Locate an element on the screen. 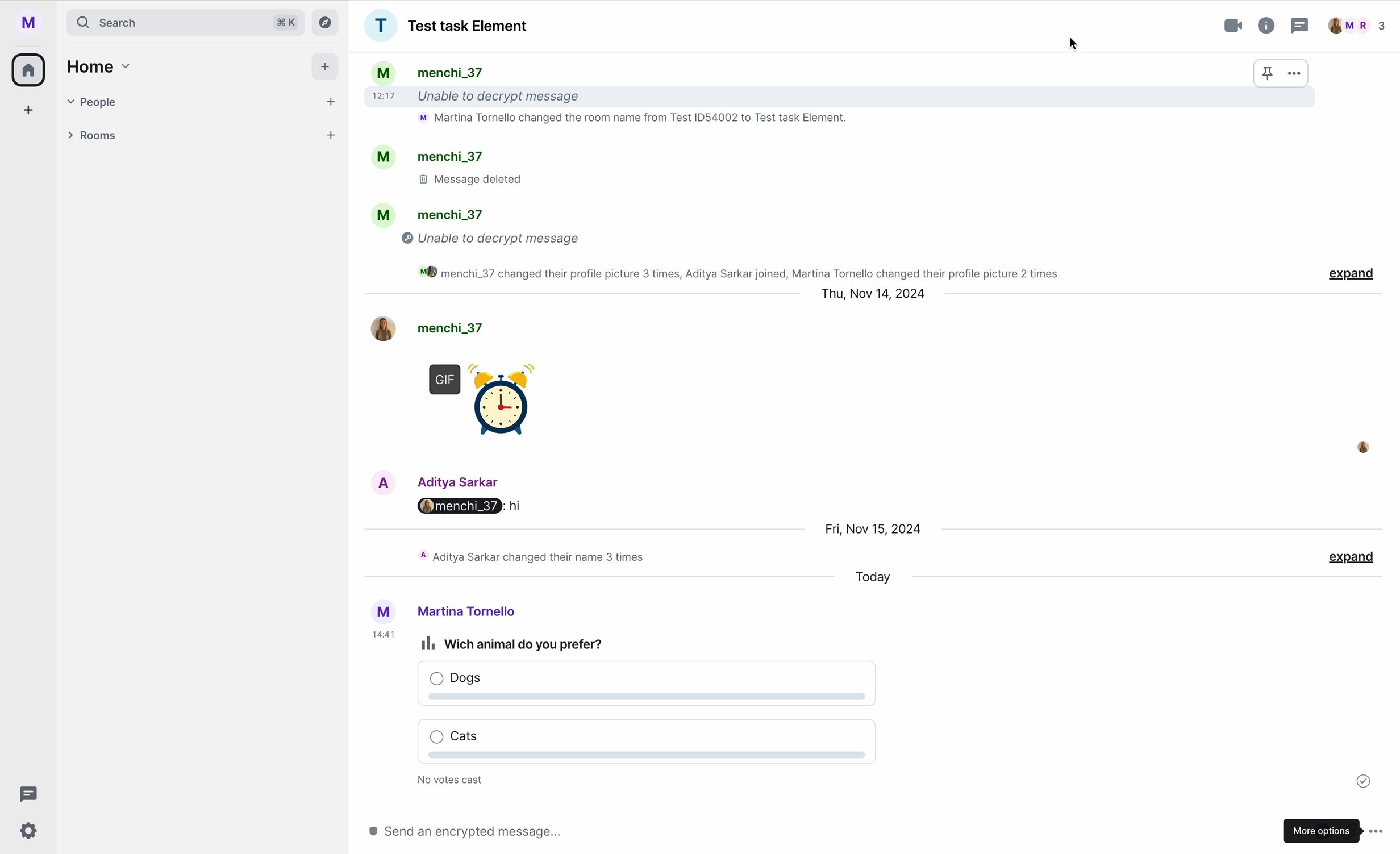  profile picture is located at coordinates (33, 23).